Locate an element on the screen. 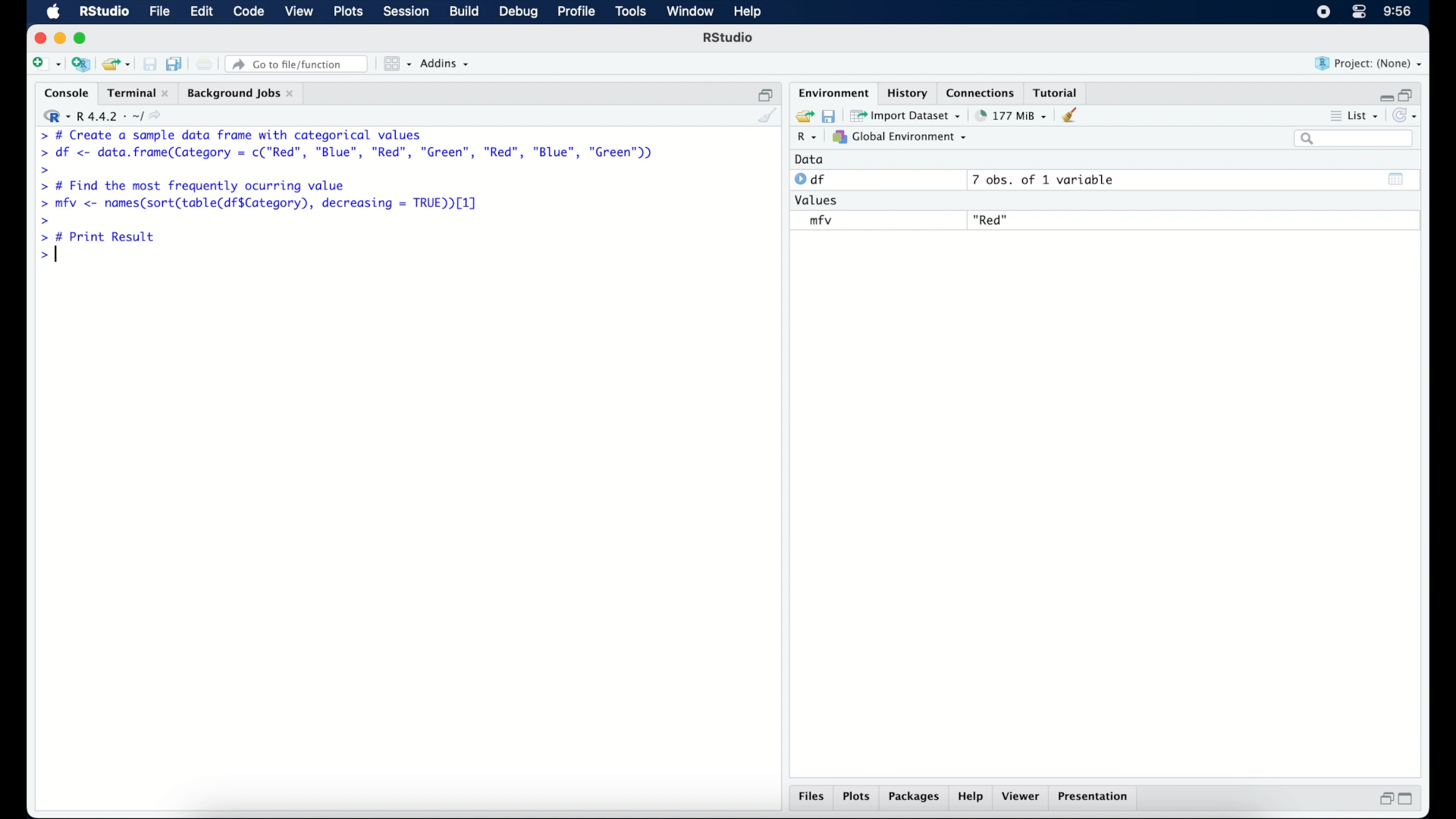 Image resolution: width=1456 pixels, height=819 pixels. command prompt is located at coordinates (45, 169).